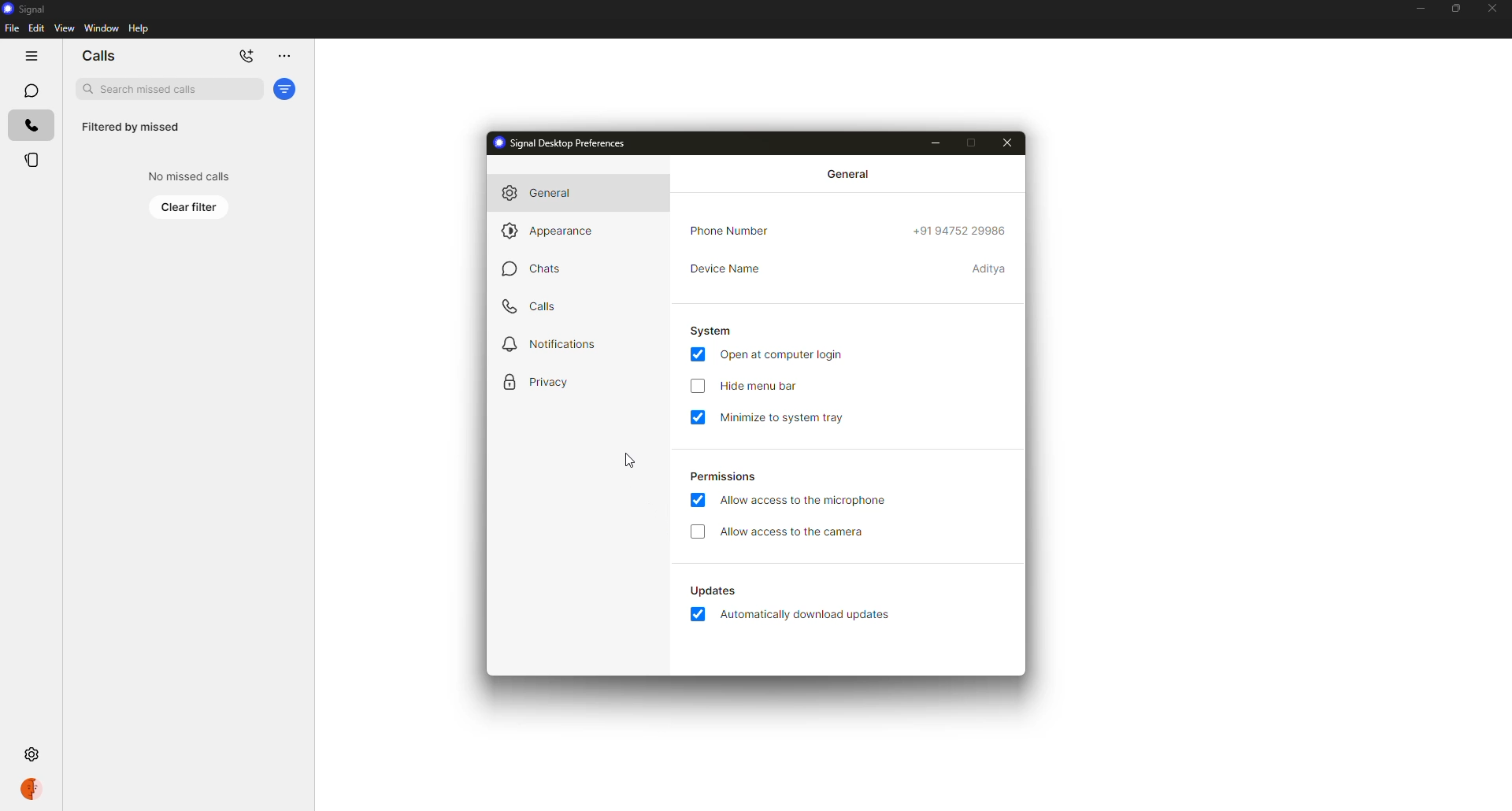 This screenshot has width=1512, height=811. What do you see at coordinates (783, 355) in the screenshot?
I see `open at computer login` at bounding box center [783, 355].